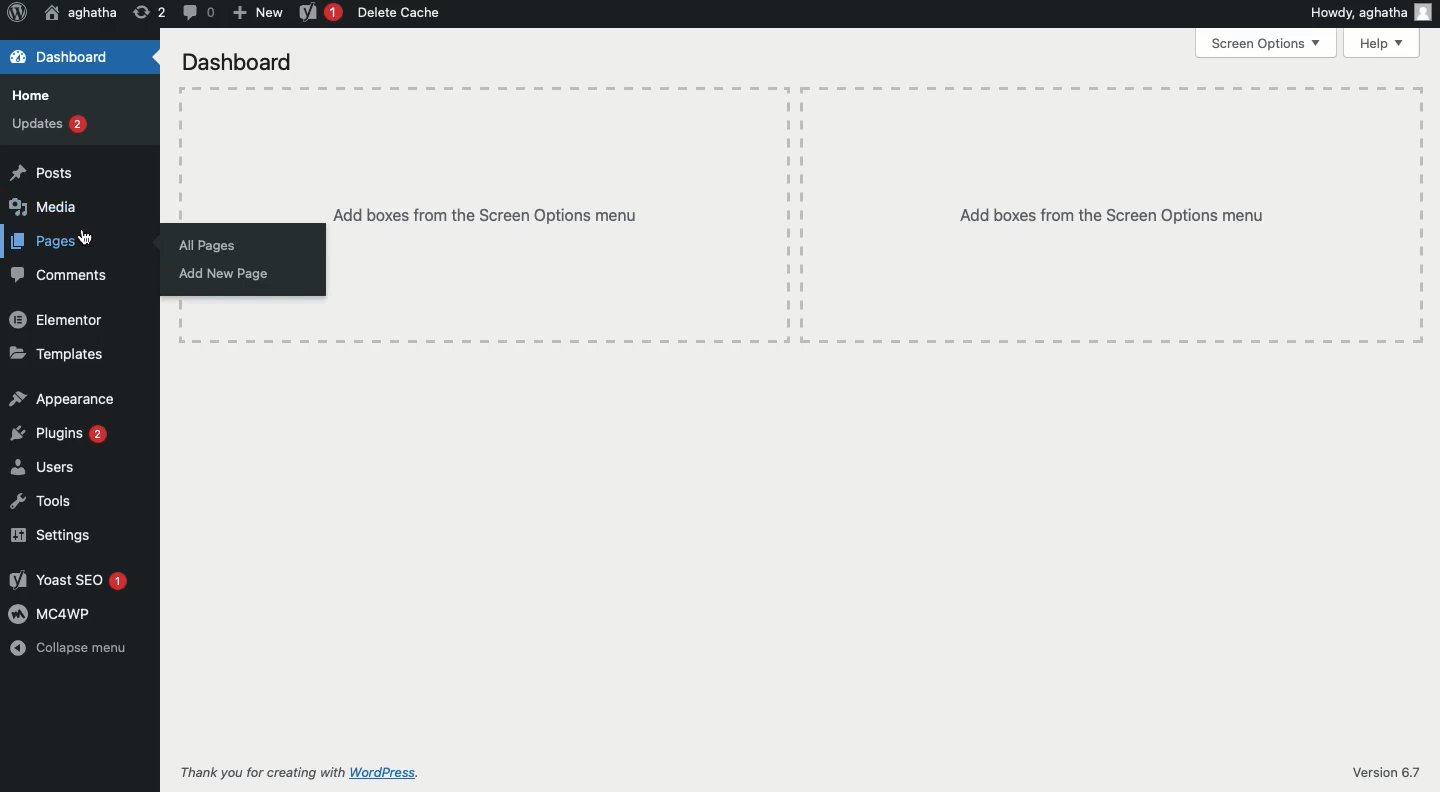 This screenshot has width=1440, height=792. Describe the element at coordinates (56, 355) in the screenshot. I see `Templates` at that location.